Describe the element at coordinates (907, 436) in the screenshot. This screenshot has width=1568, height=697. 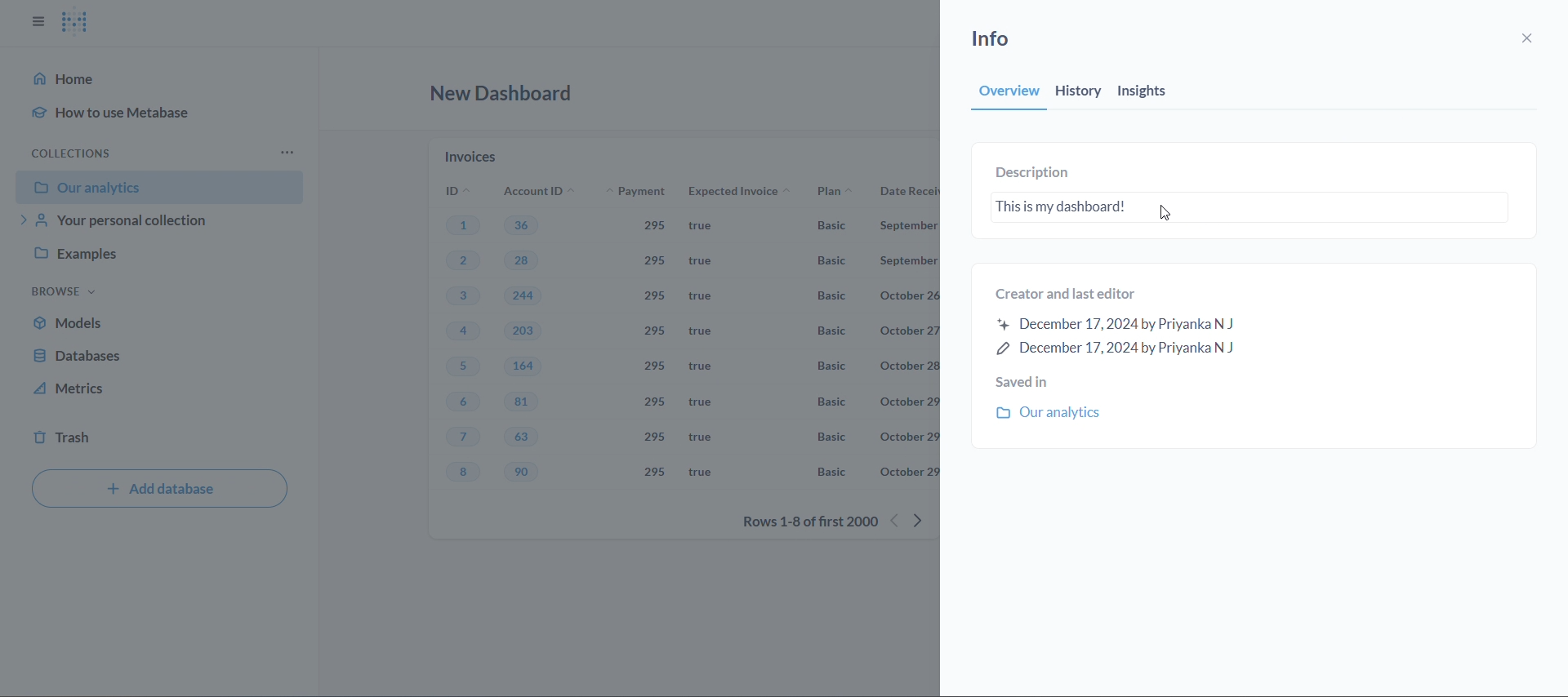
I see `october 29` at that location.